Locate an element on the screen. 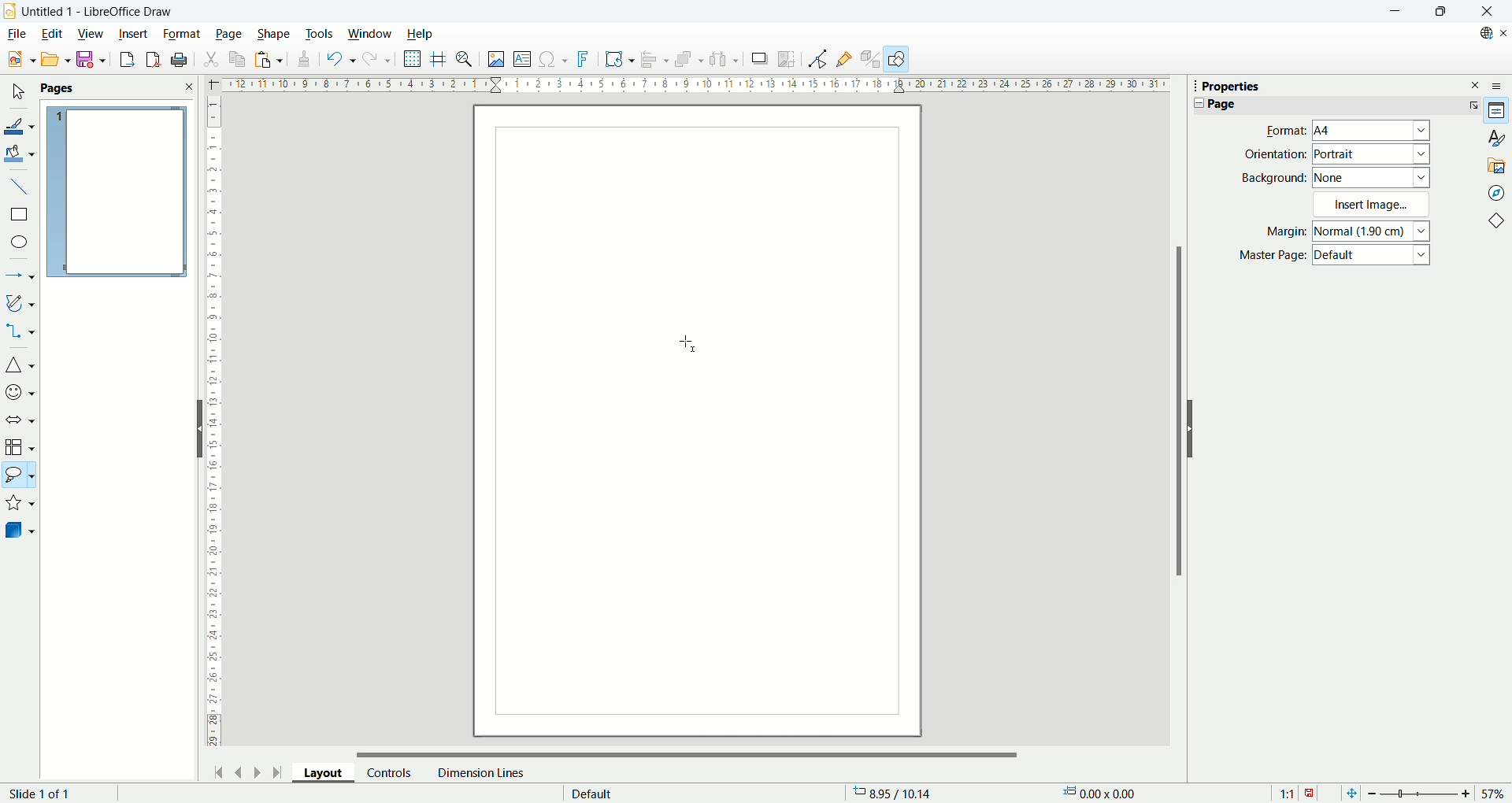  ellipse is located at coordinates (20, 243).